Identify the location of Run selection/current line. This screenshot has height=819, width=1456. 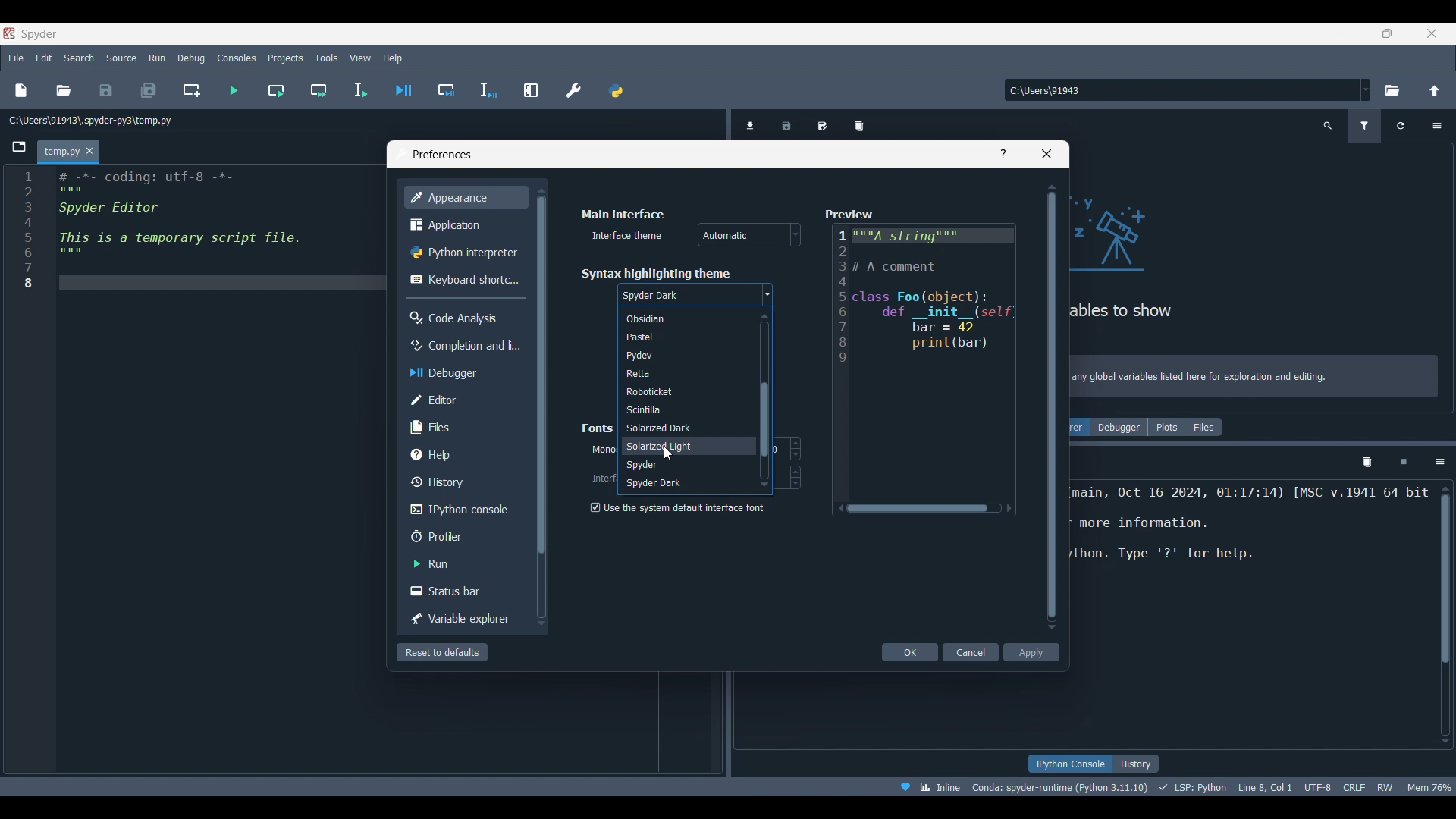
(360, 90).